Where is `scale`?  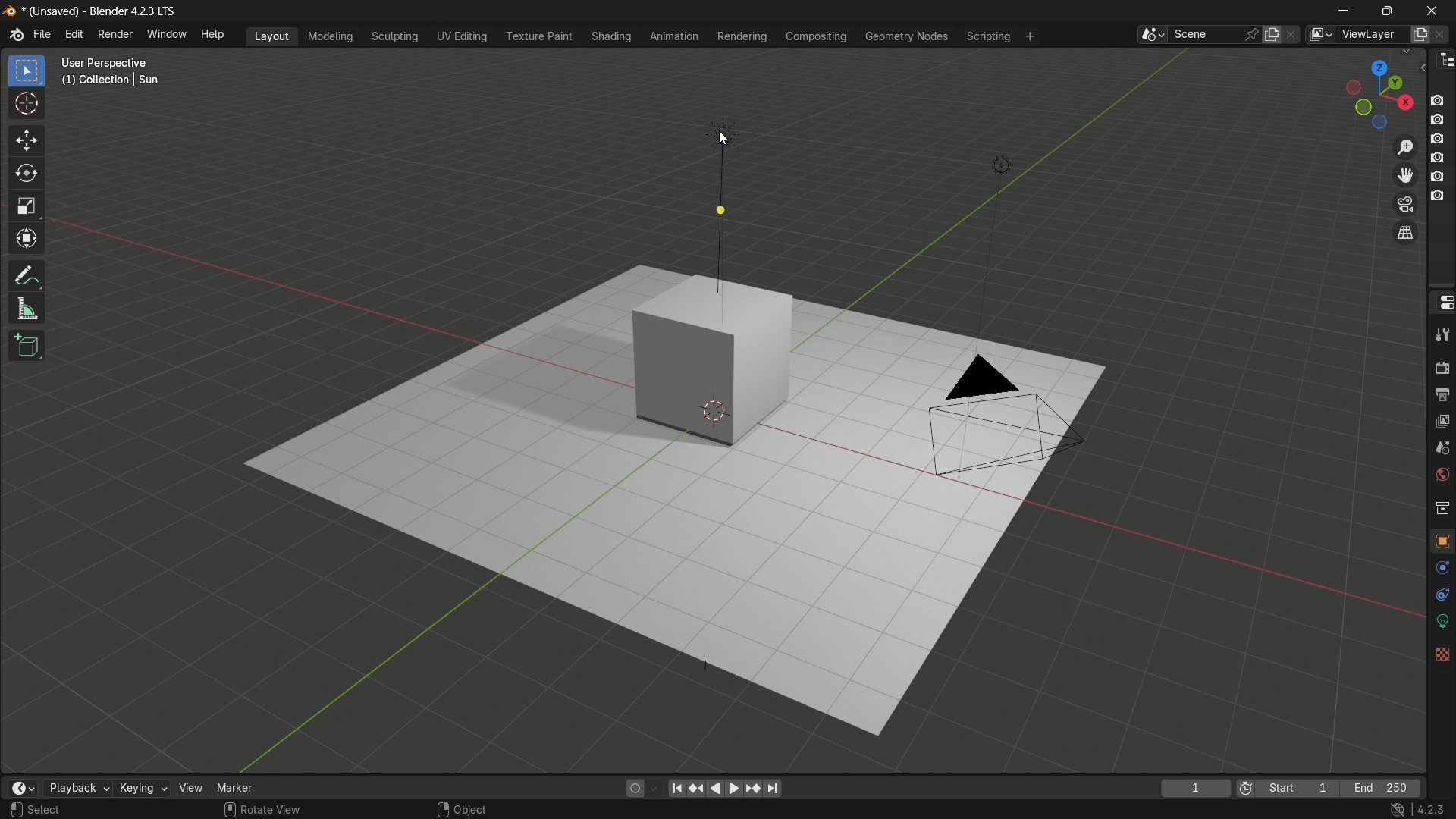 scale is located at coordinates (26, 208).